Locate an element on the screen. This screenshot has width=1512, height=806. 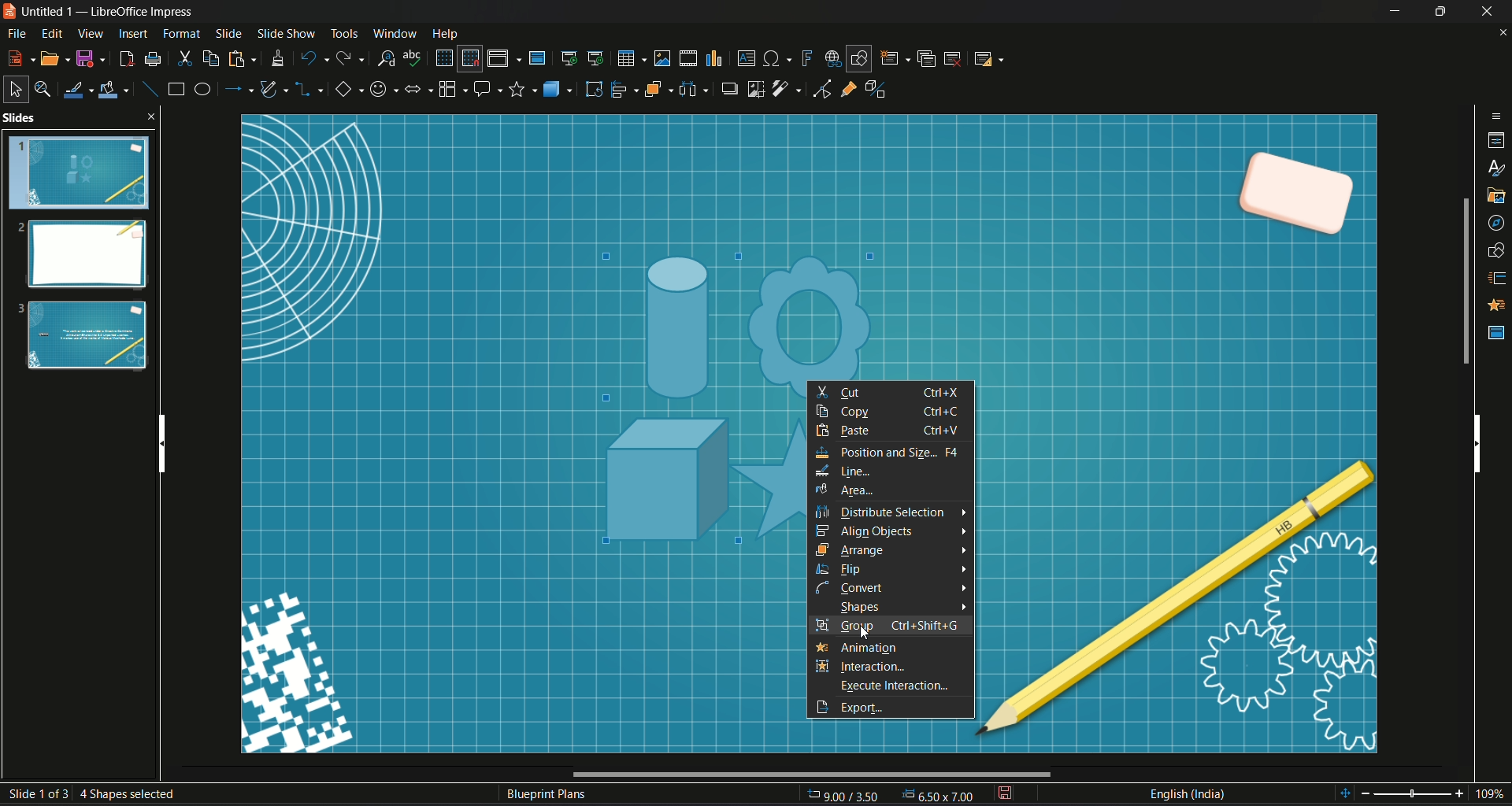
paste is located at coordinates (892, 431).